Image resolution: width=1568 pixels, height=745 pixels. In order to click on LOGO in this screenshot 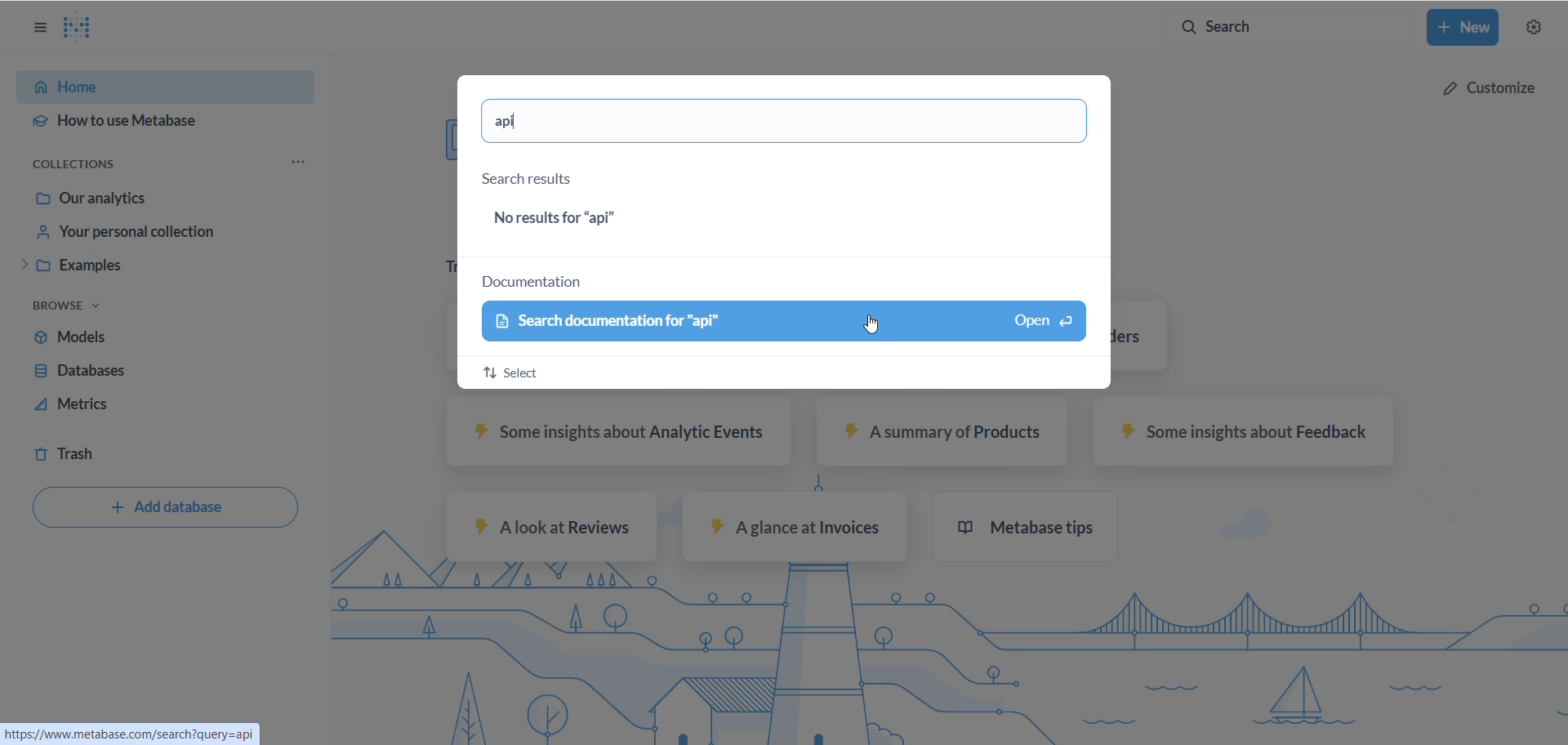, I will do `click(87, 29)`.